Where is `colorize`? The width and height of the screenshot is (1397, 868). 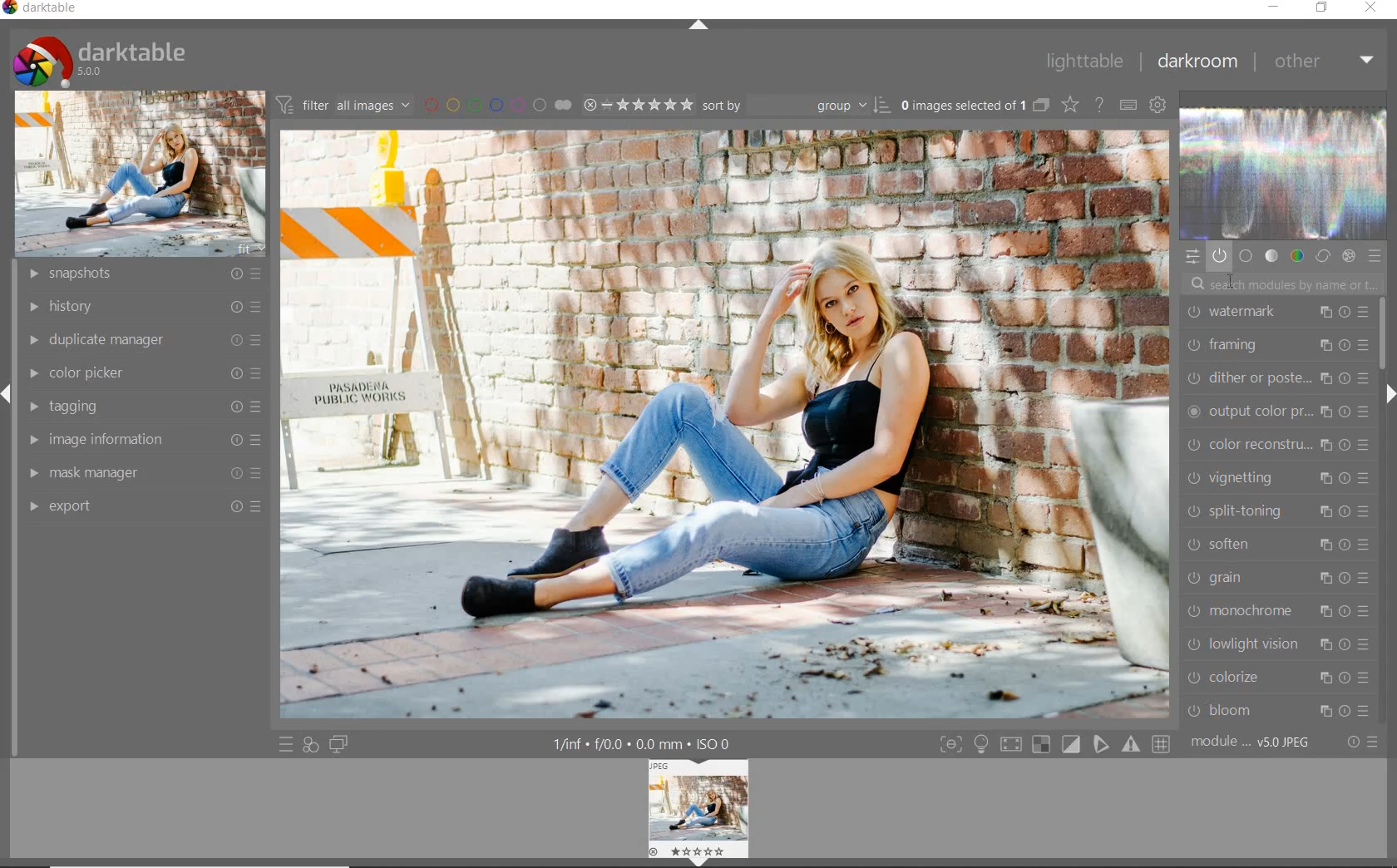 colorize is located at coordinates (1276, 678).